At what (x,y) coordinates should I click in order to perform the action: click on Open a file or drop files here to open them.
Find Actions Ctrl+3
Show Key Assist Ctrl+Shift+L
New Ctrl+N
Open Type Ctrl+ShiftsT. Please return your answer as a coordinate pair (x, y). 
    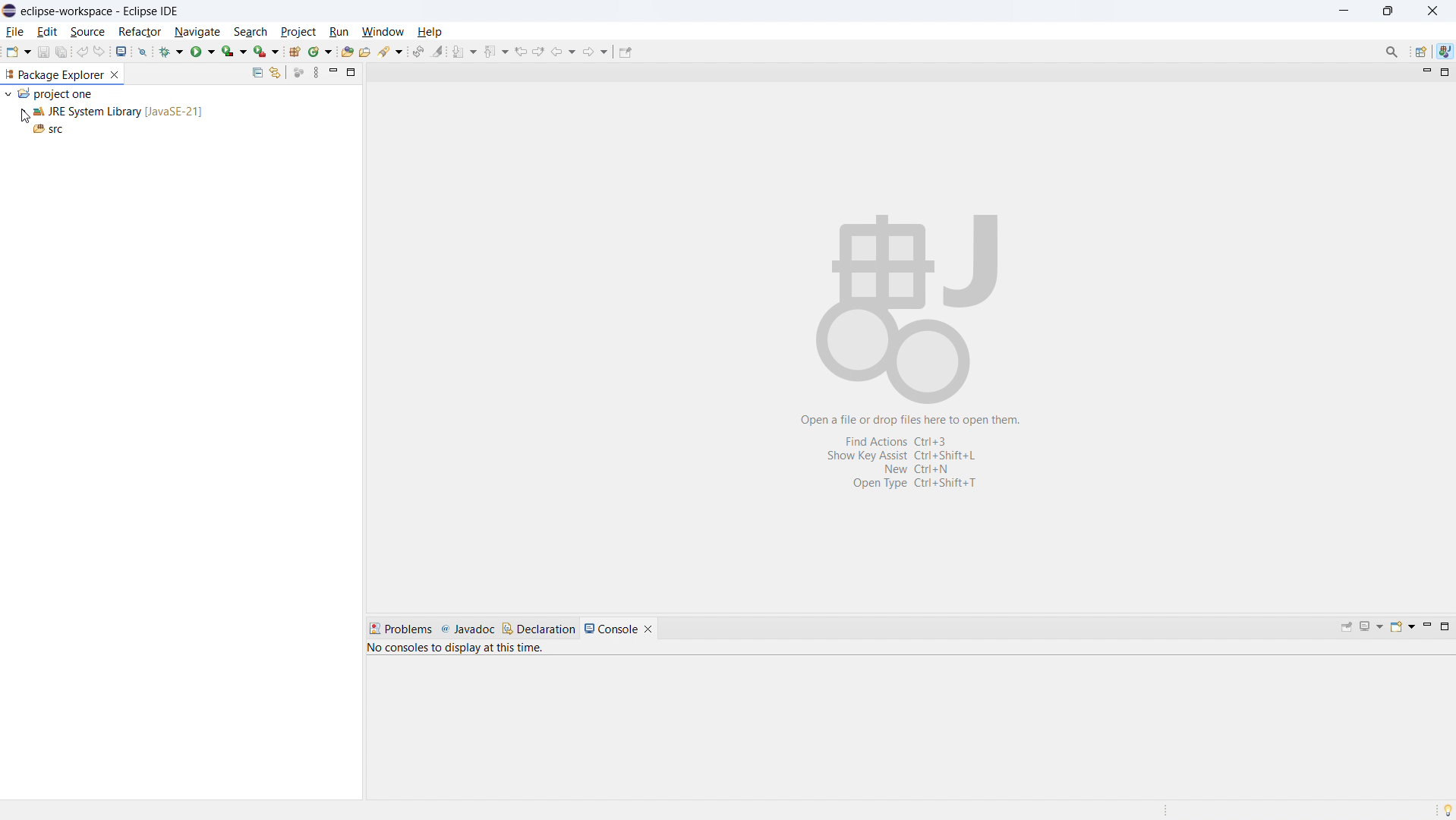
    Looking at the image, I should click on (916, 454).